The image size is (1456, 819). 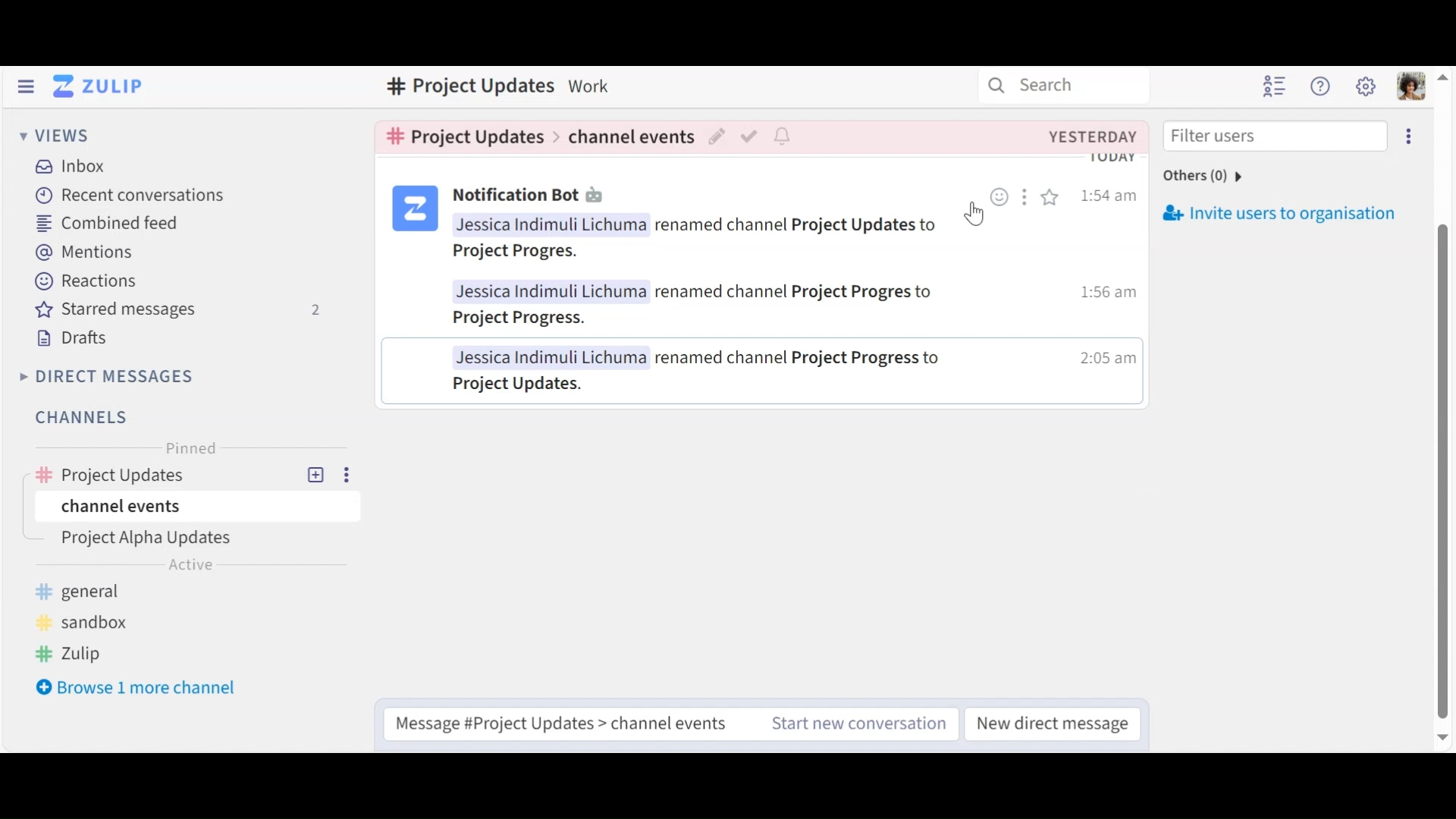 What do you see at coordinates (1218, 174) in the screenshot?
I see `Others(0)` at bounding box center [1218, 174].